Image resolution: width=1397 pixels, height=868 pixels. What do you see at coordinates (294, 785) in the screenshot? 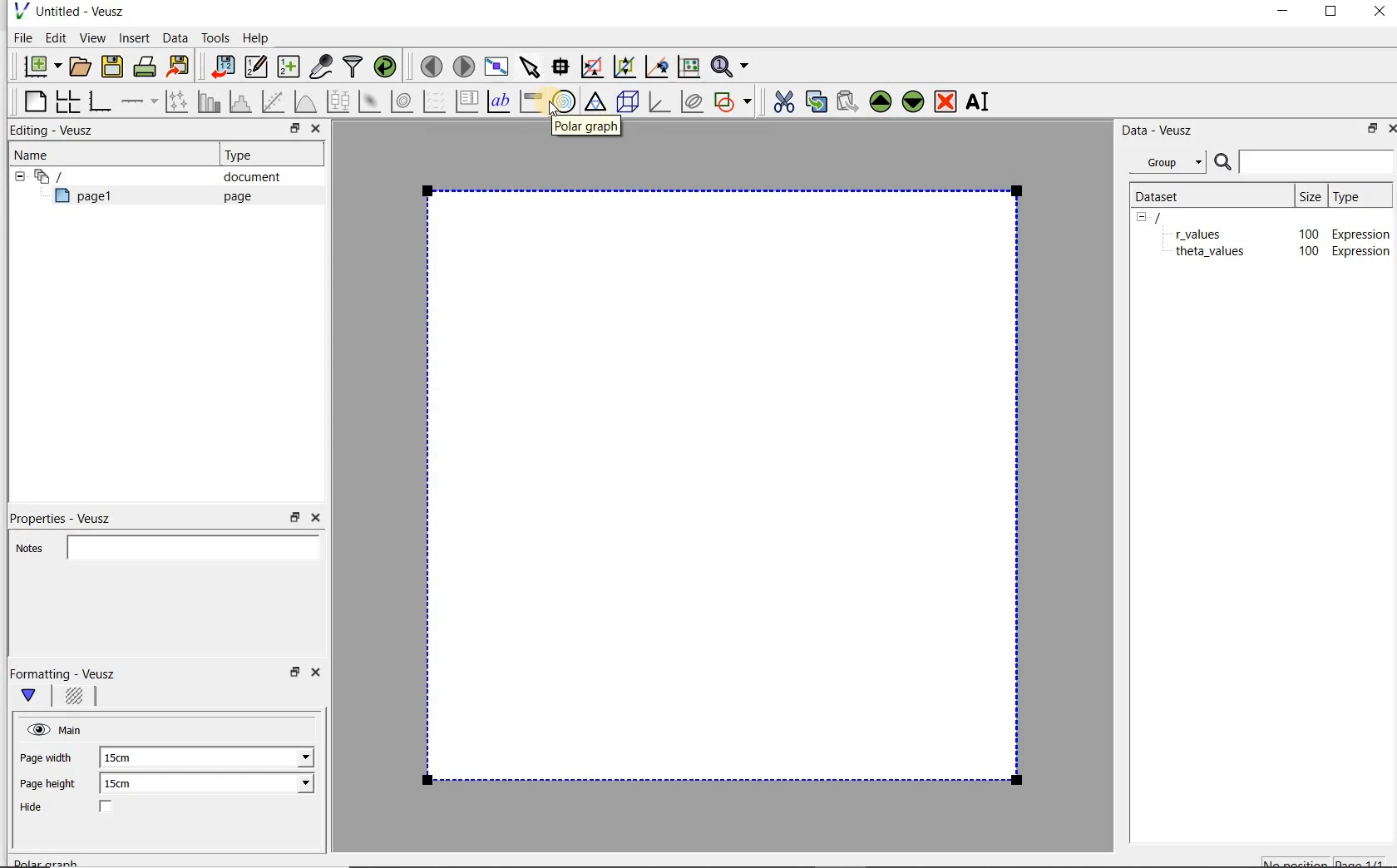
I see `Page height dropdown` at bounding box center [294, 785].